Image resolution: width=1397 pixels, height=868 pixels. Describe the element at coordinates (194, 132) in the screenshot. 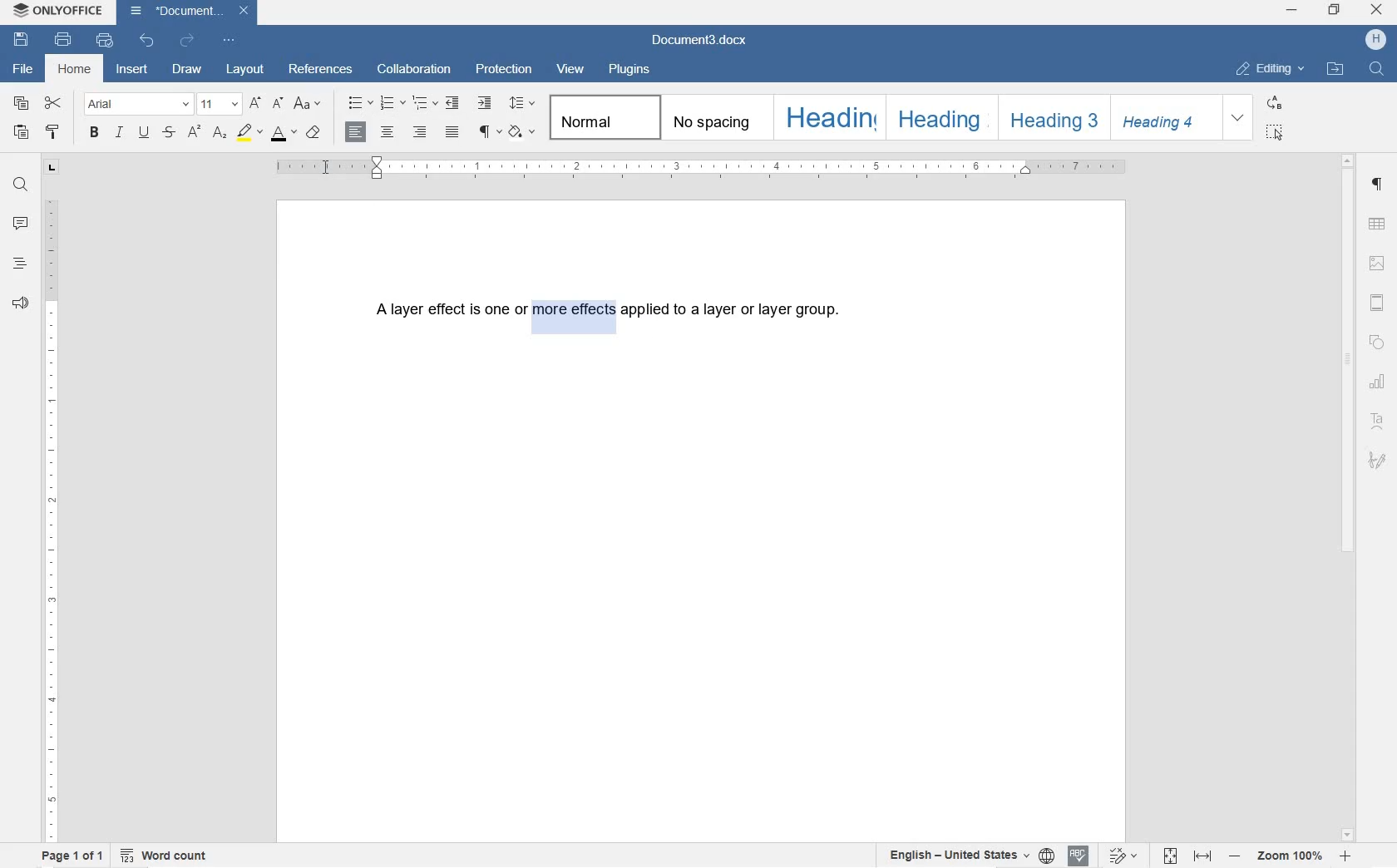

I see `SUPERSCRIPT` at that location.